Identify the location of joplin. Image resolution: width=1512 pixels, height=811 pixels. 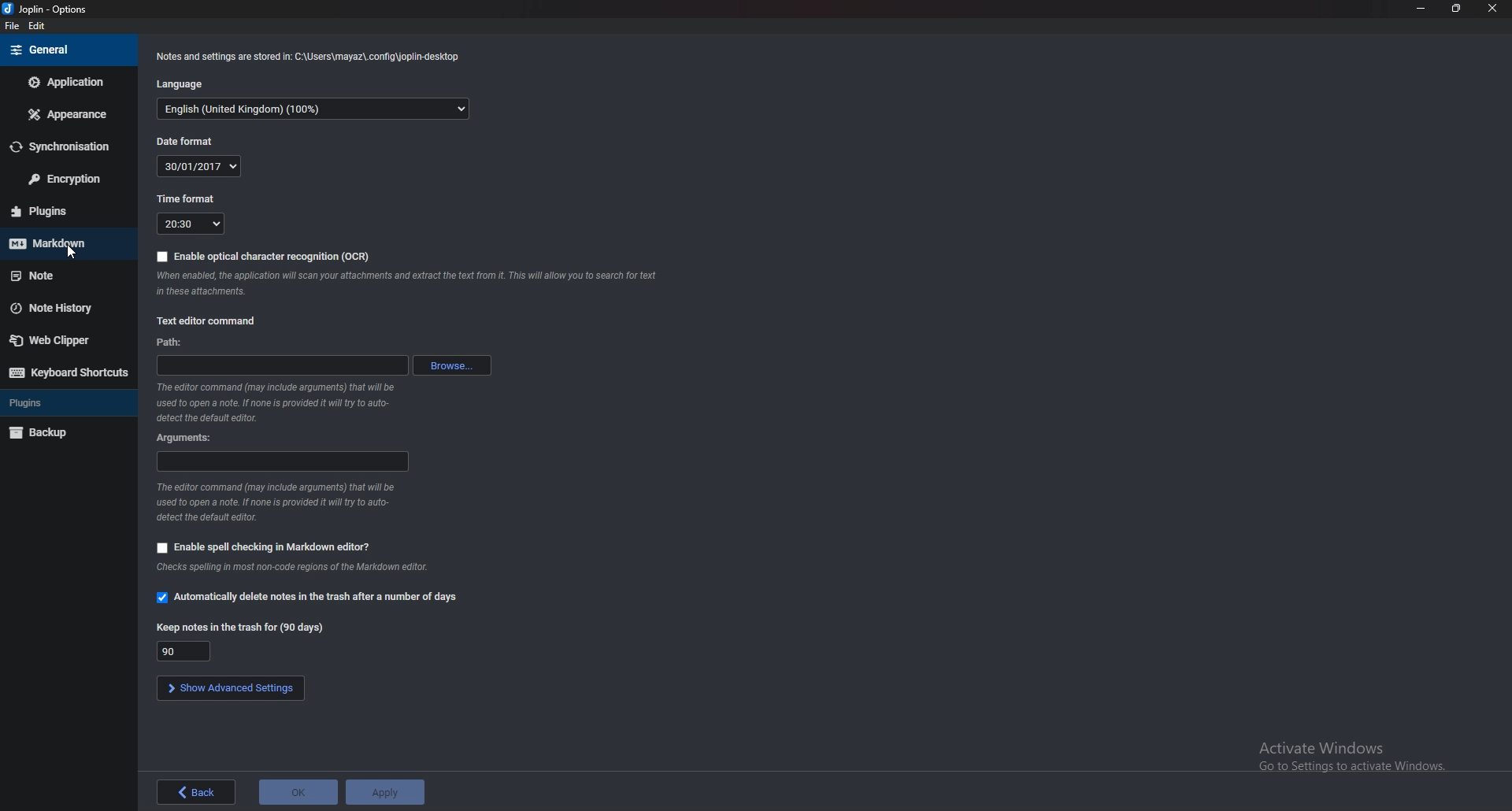
(49, 9).